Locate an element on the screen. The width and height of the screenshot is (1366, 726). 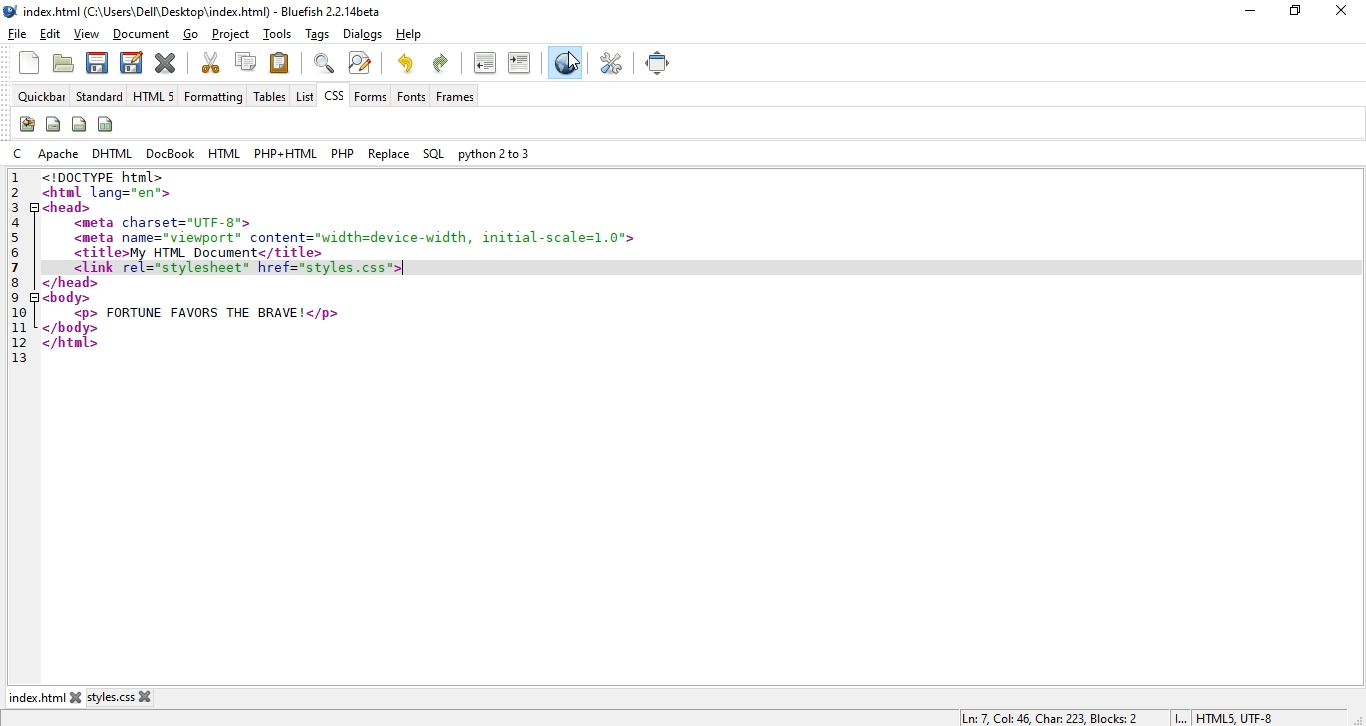
7 is located at coordinates (16, 268).